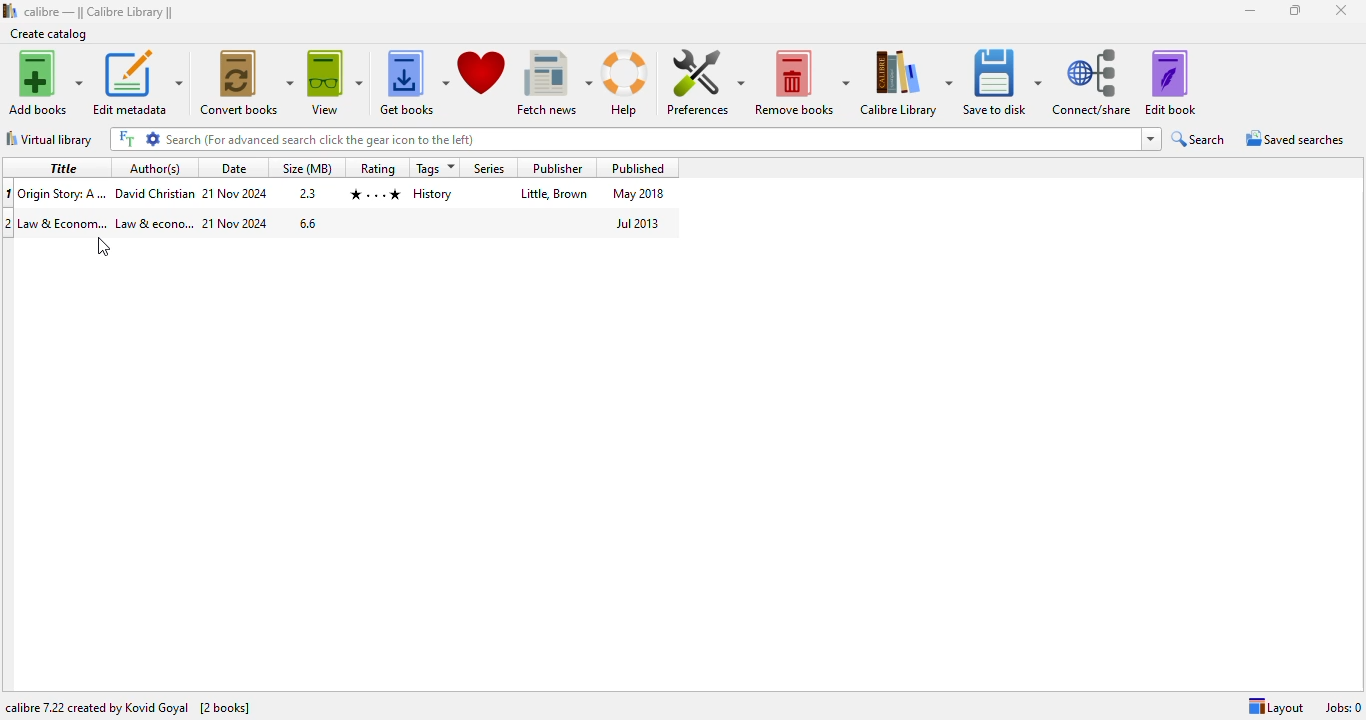  Describe the element at coordinates (434, 193) in the screenshot. I see `tag` at that location.